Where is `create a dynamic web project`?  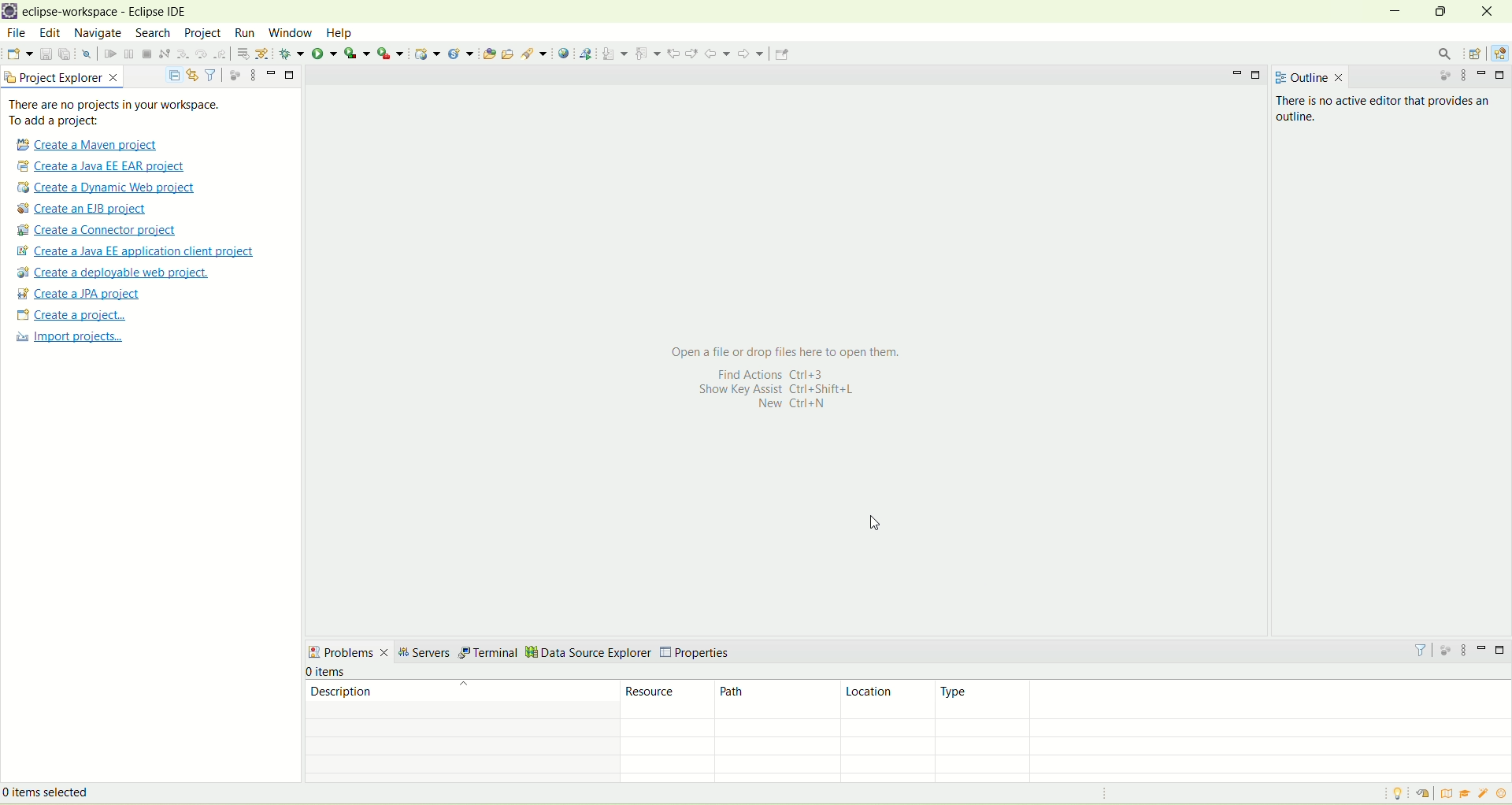
create a dynamic web project is located at coordinates (109, 187).